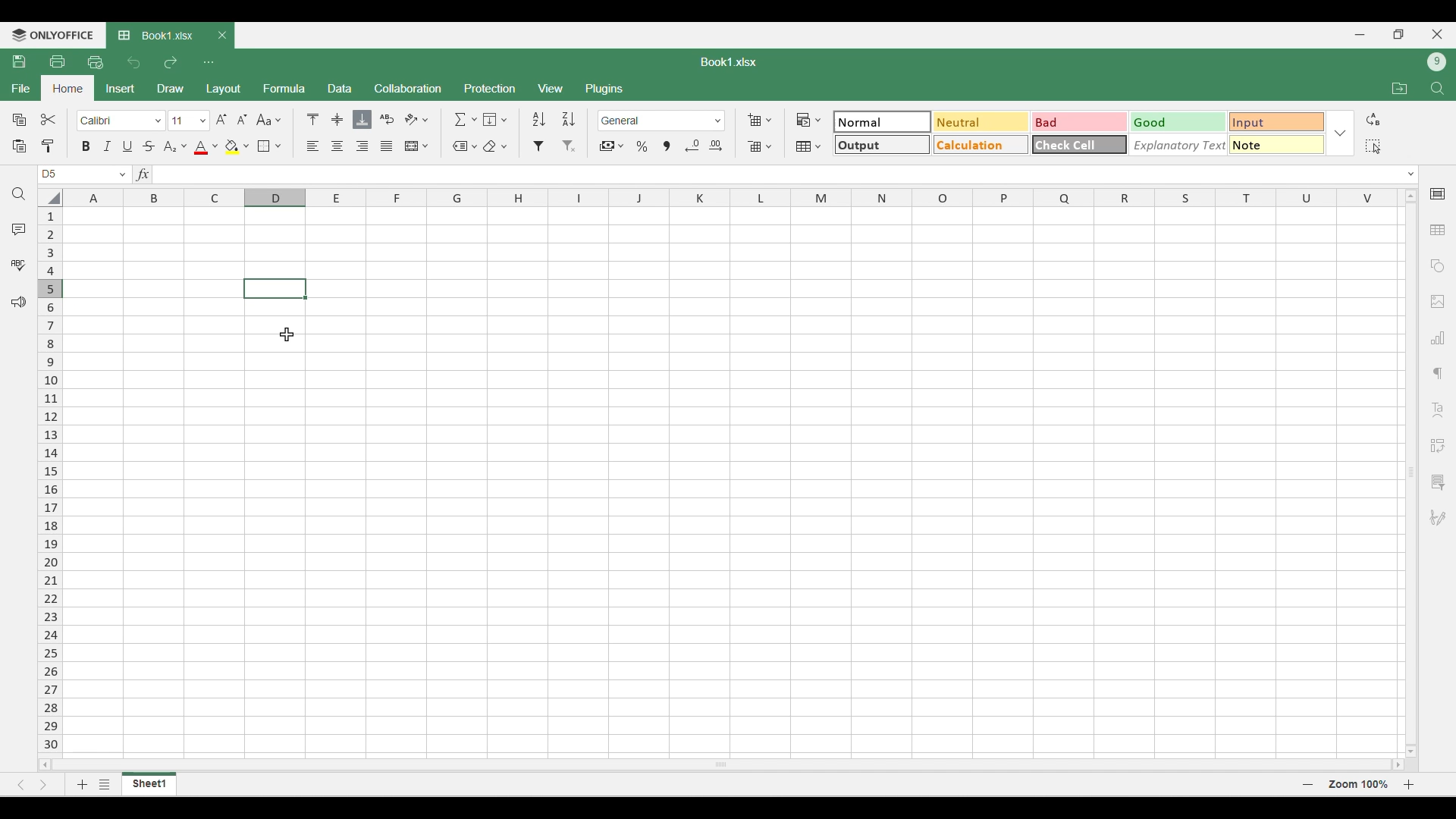 The image size is (1456, 819). I want to click on Book1.xlsx, so click(729, 62).